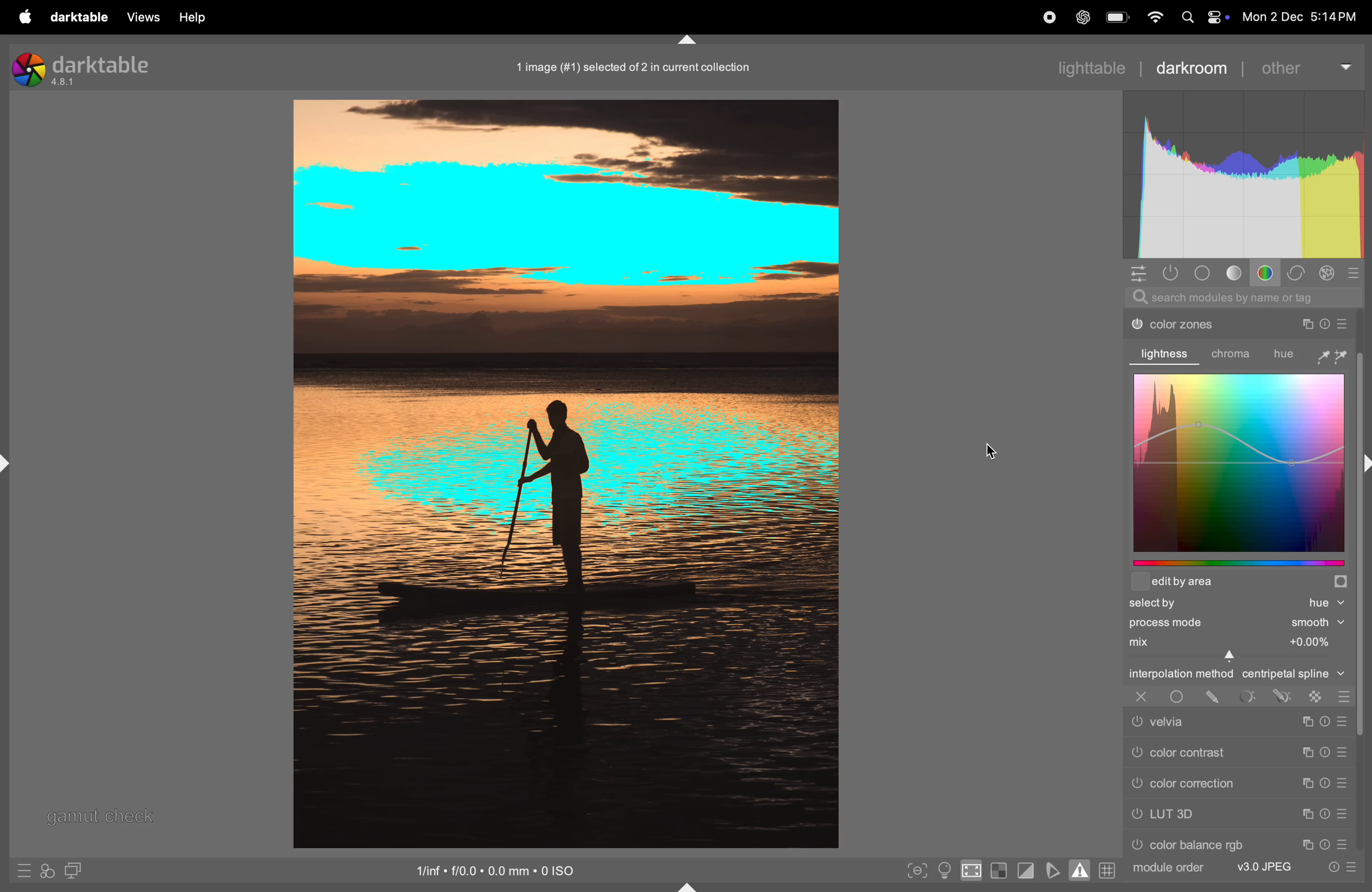  I want to click on , so click(1248, 697).